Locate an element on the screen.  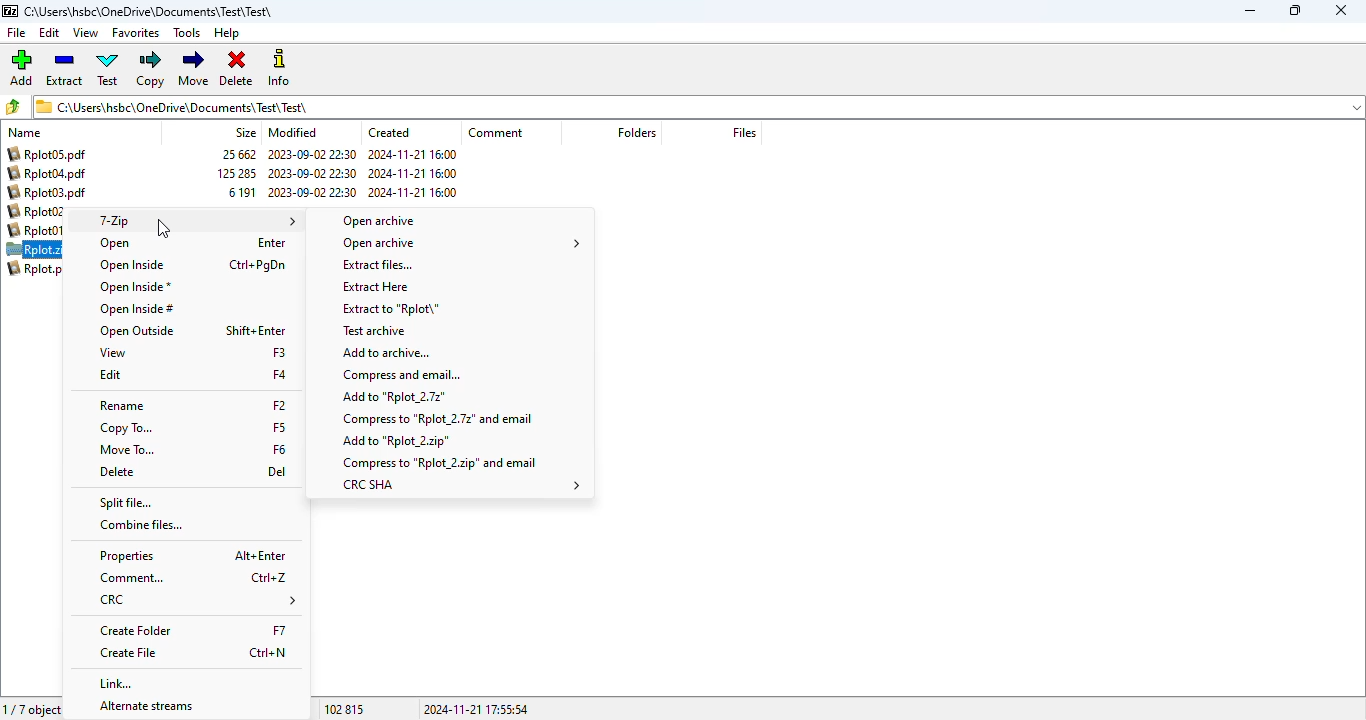
split file is located at coordinates (126, 503).